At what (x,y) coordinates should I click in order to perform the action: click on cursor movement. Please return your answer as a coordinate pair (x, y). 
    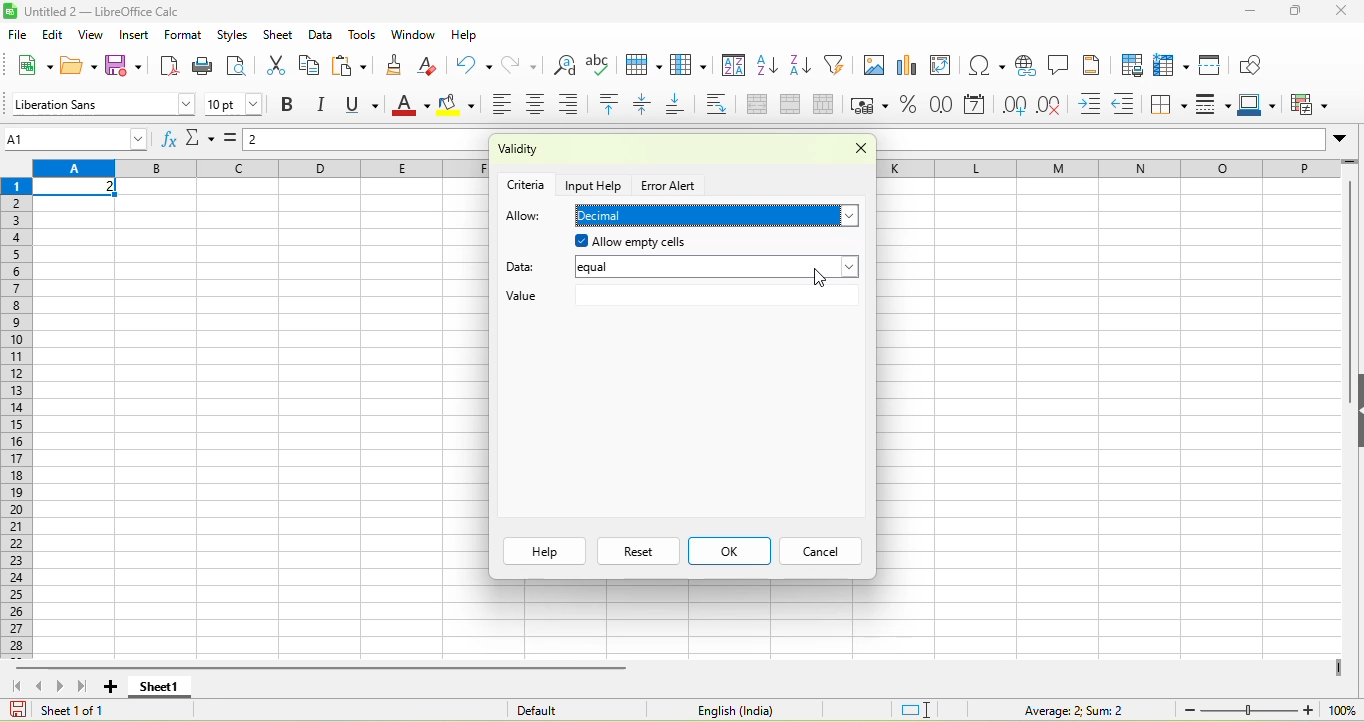
    Looking at the image, I should click on (820, 273).